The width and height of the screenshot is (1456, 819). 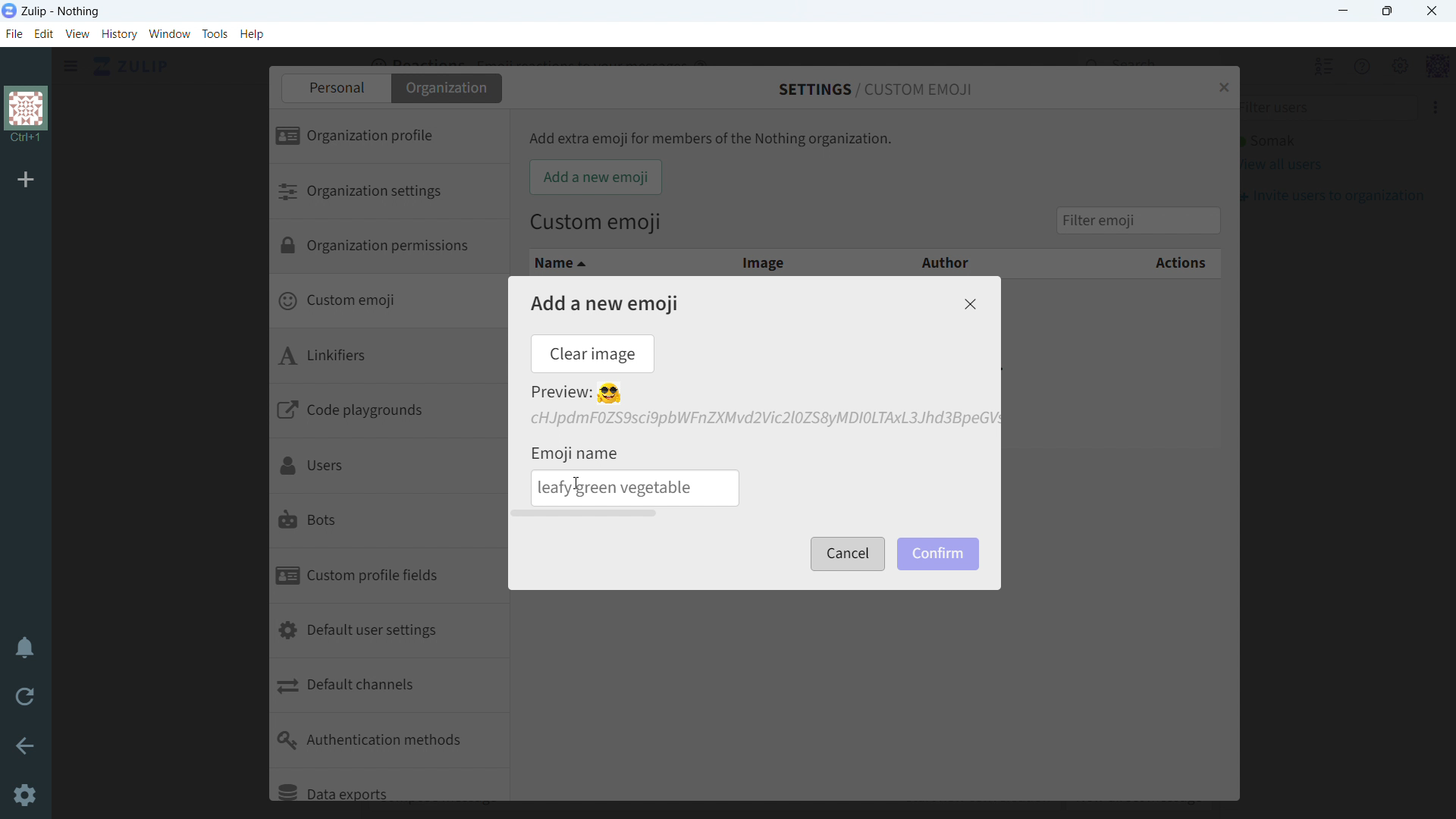 I want to click on scroll down, so click(x=1447, y=811).